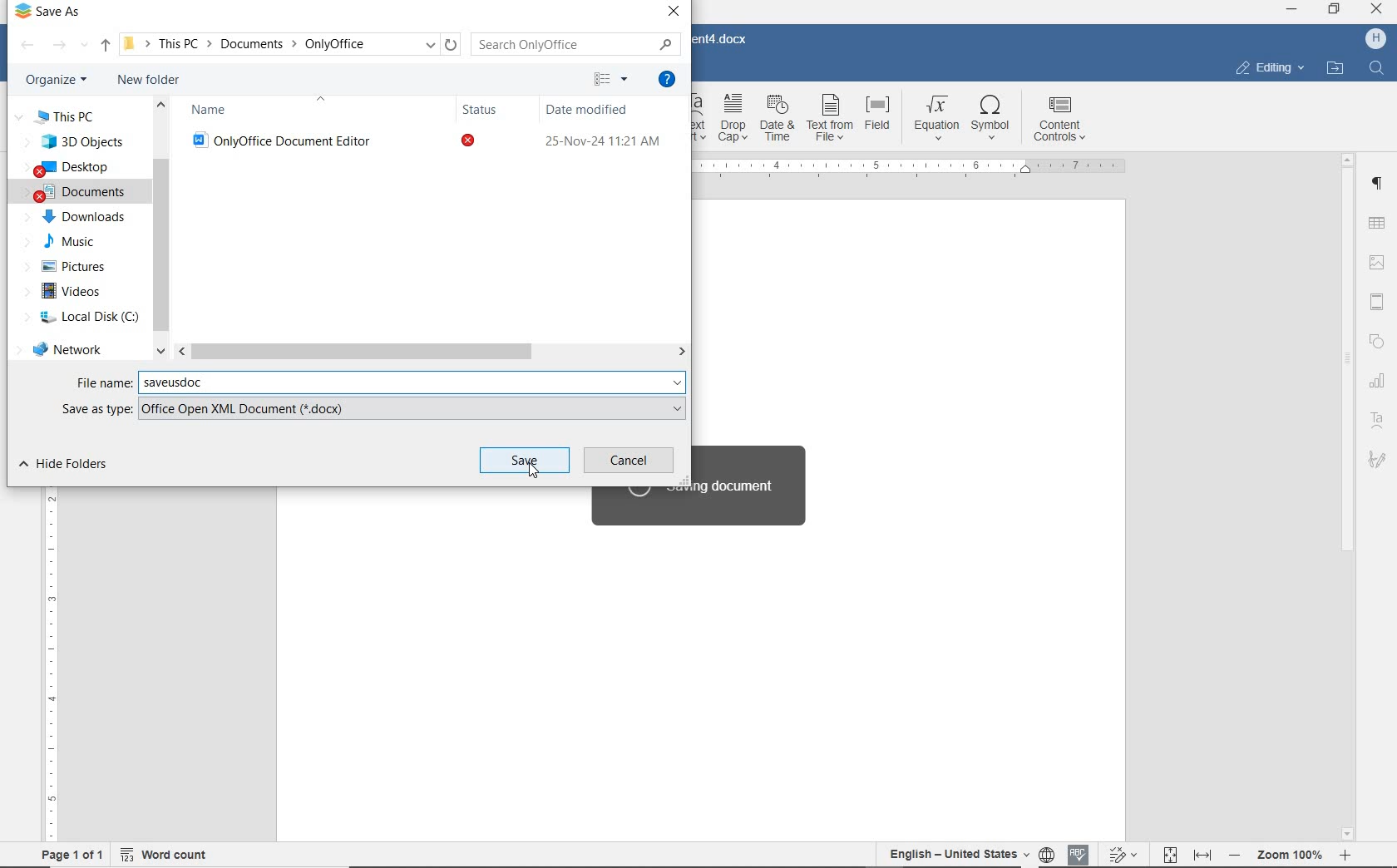  I want to click on Track changes, so click(1128, 854).